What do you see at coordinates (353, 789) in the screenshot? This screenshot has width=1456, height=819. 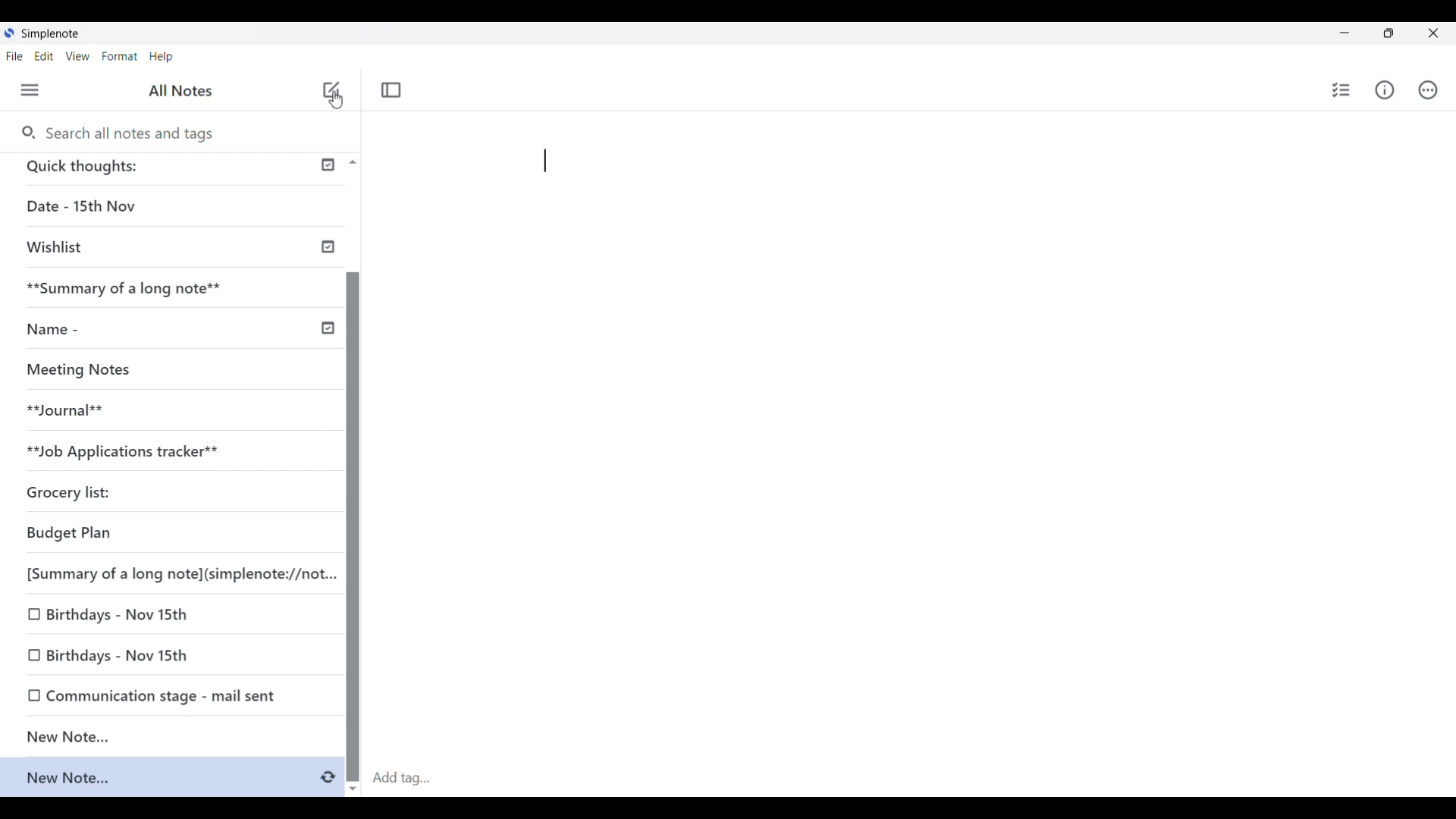 I see `Quick slide to bottom` at bounding box center [353, 789].